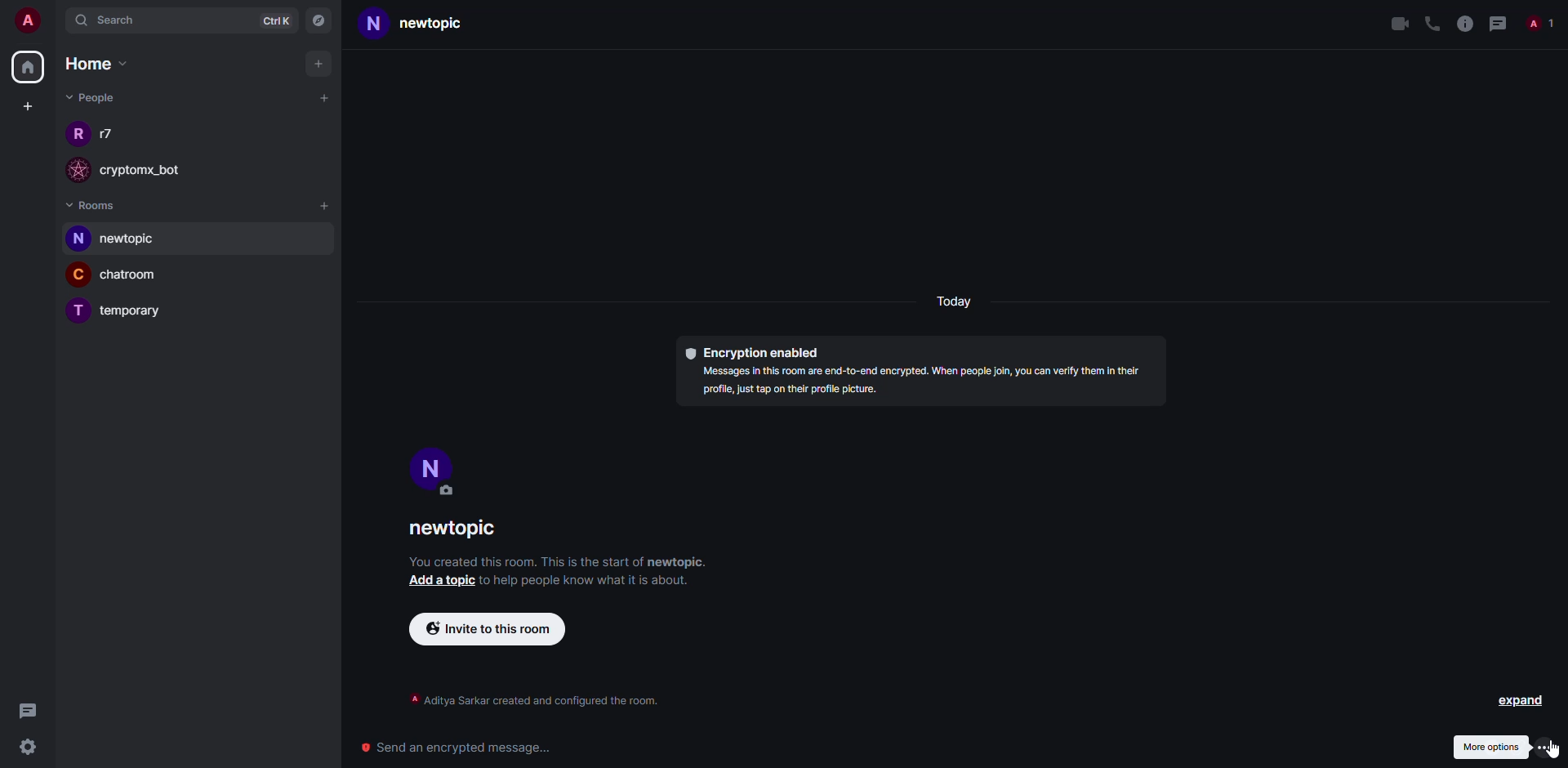 This screenshot has width=1568, height=768. Describe the element at coordinates (98, 205) in the screenshot. I see `rooms` at that location.